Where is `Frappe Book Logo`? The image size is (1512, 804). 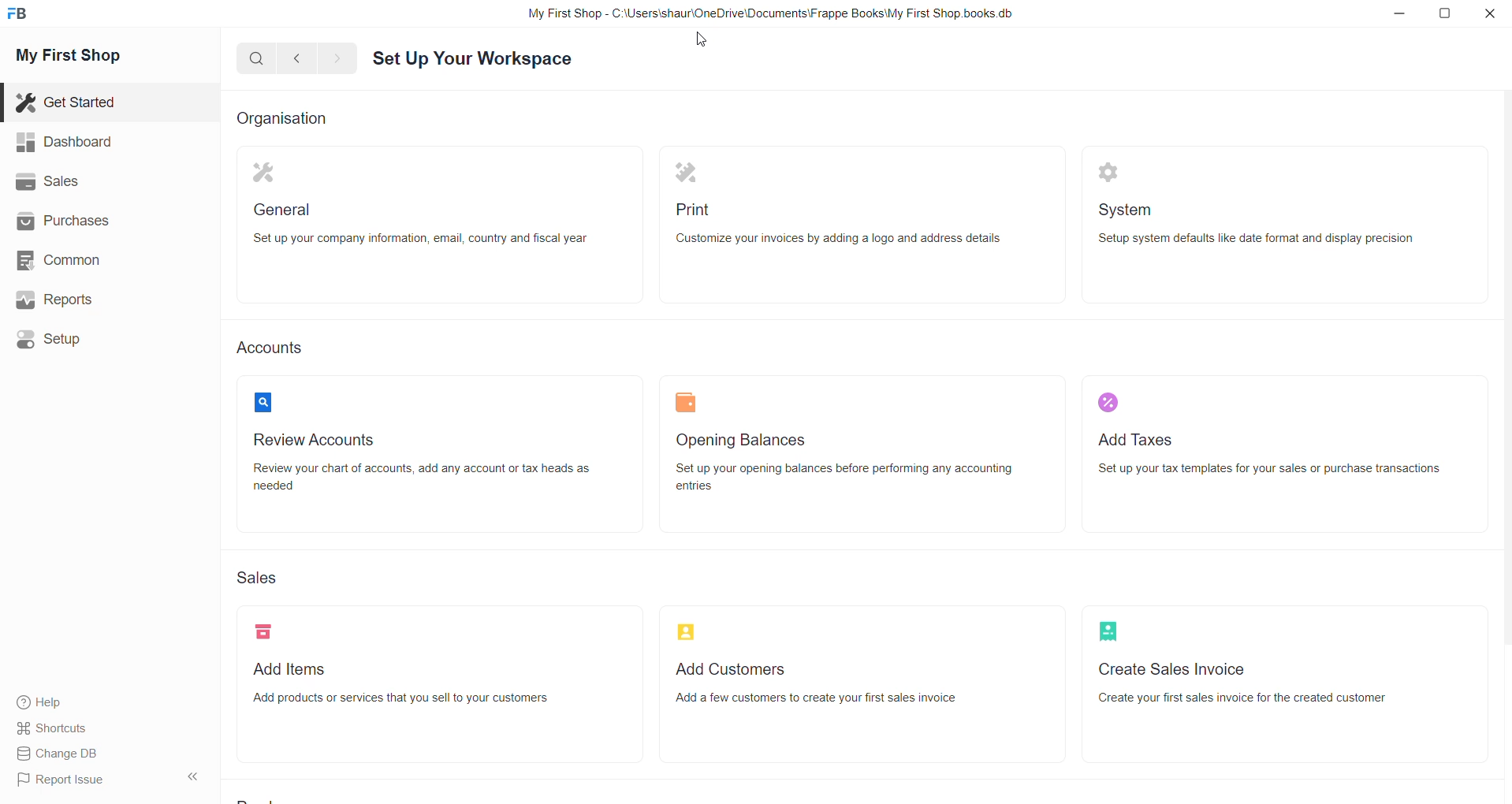
Frappe Book Logo is located at coordinates (31, 13).